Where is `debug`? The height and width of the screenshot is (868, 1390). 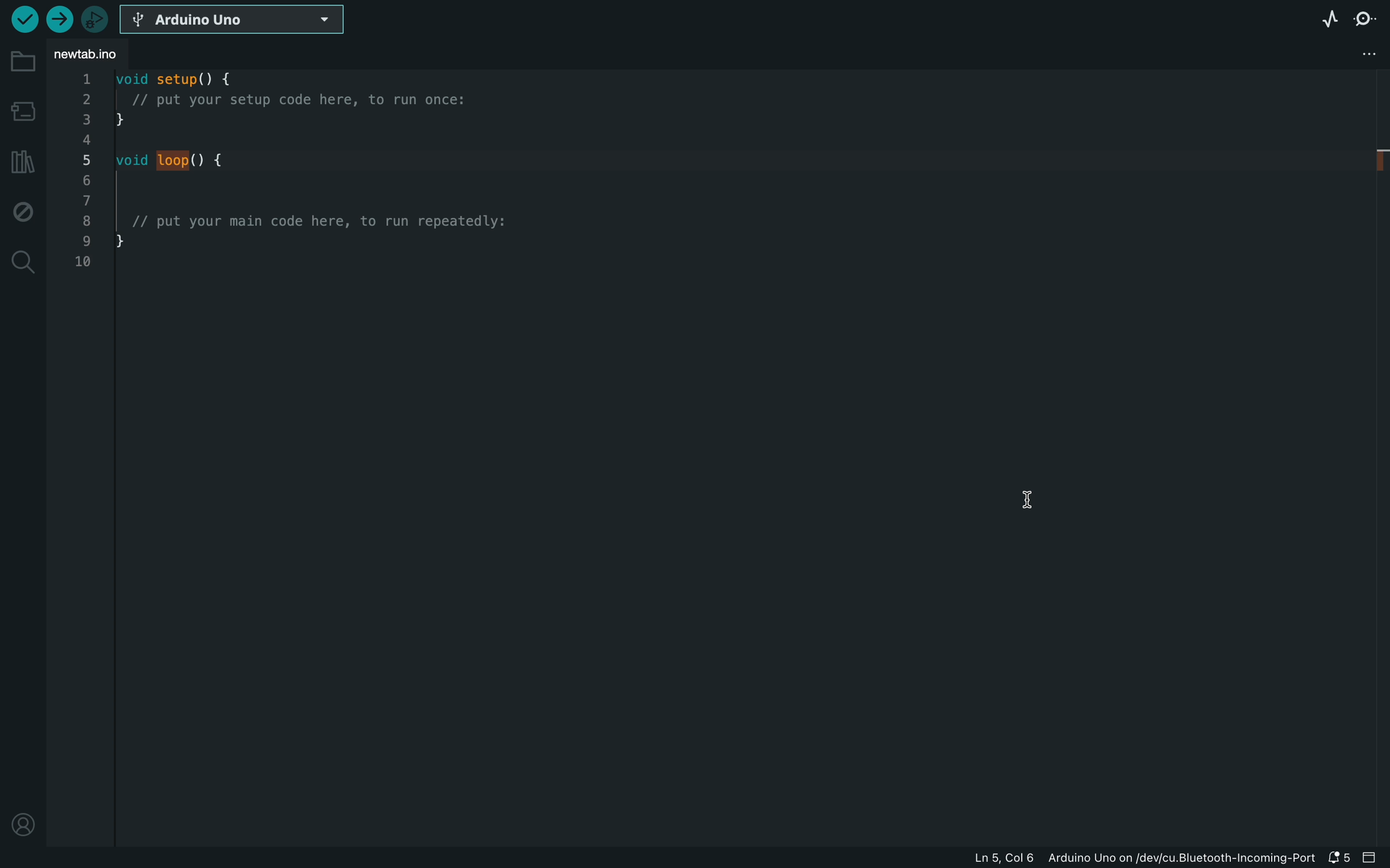 debug is located at coordinates (23, 211).